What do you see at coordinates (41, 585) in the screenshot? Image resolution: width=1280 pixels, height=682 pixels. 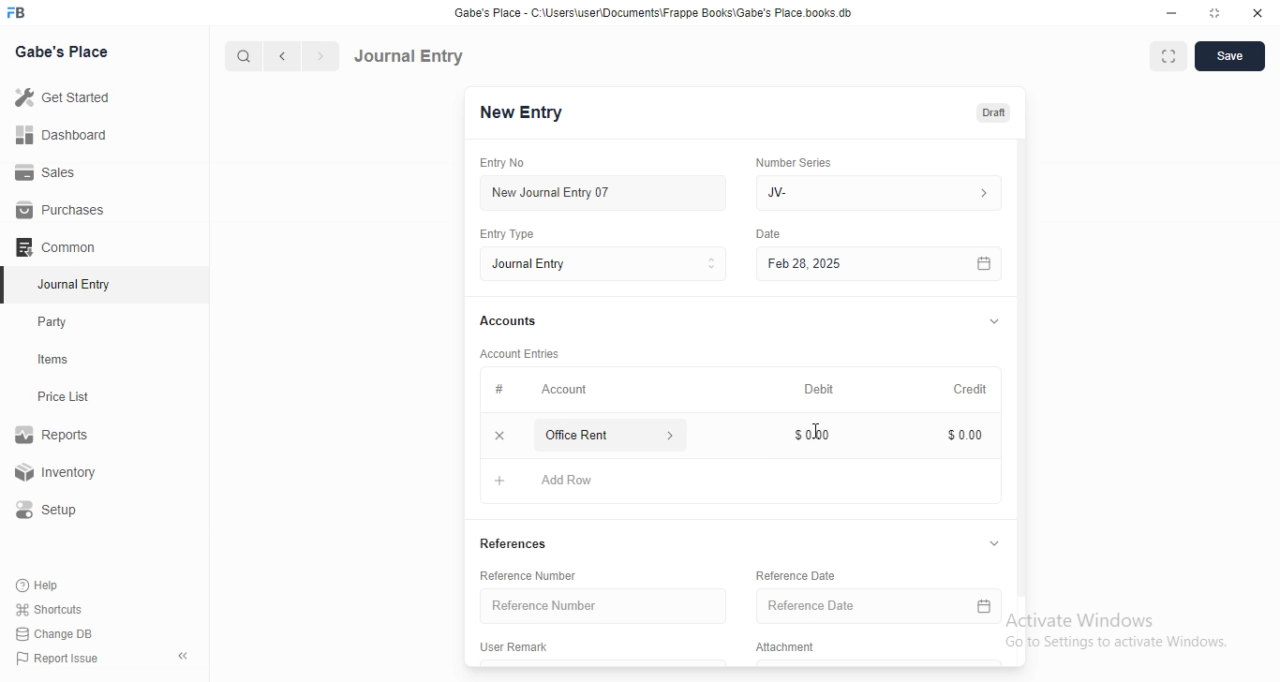 I see `Help` at bounding box center [41, 585].